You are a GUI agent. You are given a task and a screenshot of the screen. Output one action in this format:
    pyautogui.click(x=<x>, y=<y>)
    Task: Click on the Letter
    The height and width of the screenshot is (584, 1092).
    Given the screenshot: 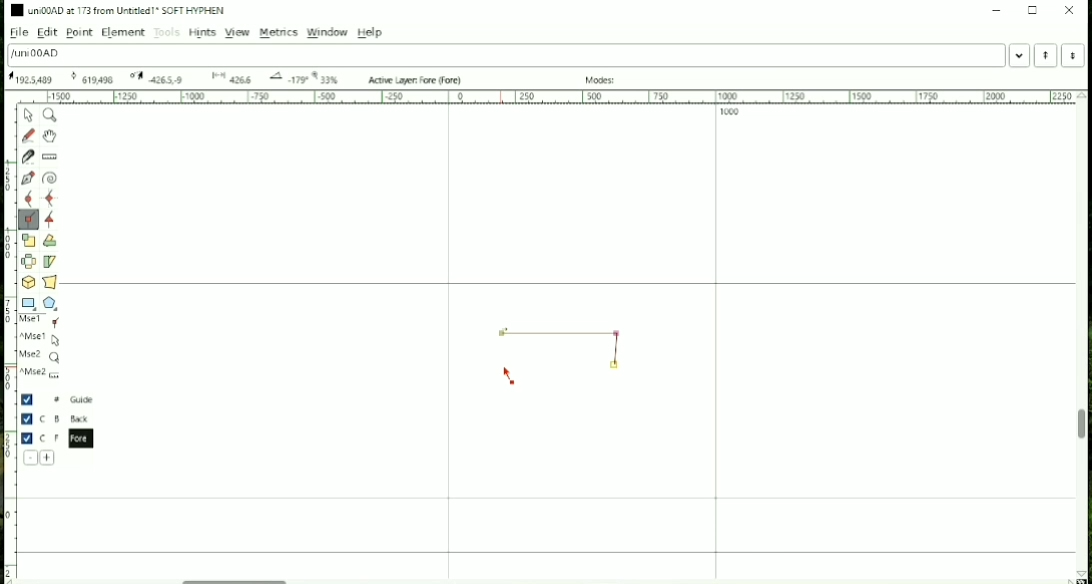 What is the action you would take?
    pyautogui.click(x=36, y=54)
    